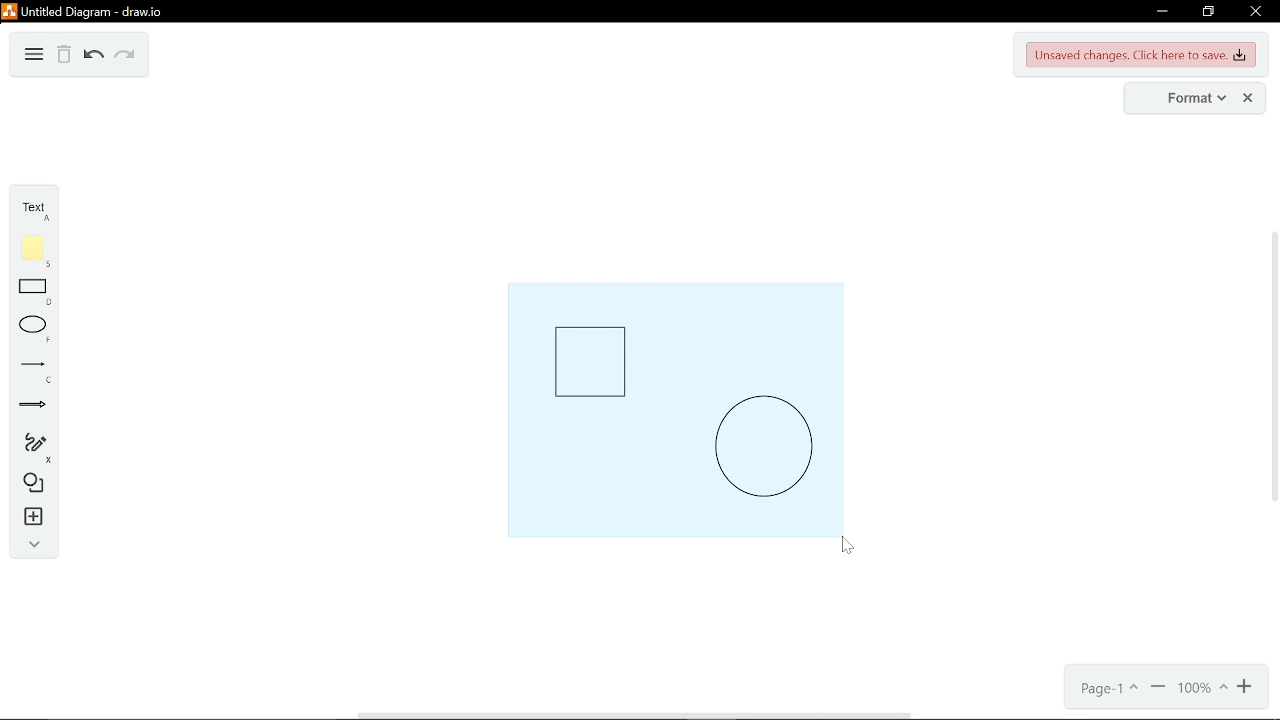 Image resolution: width=1280 pixels, height=720 pixels. What do you see at coordinates (1272, 364) in the screenshot?
I see `vertical scrollbar` at bounding box center [1272, 364].